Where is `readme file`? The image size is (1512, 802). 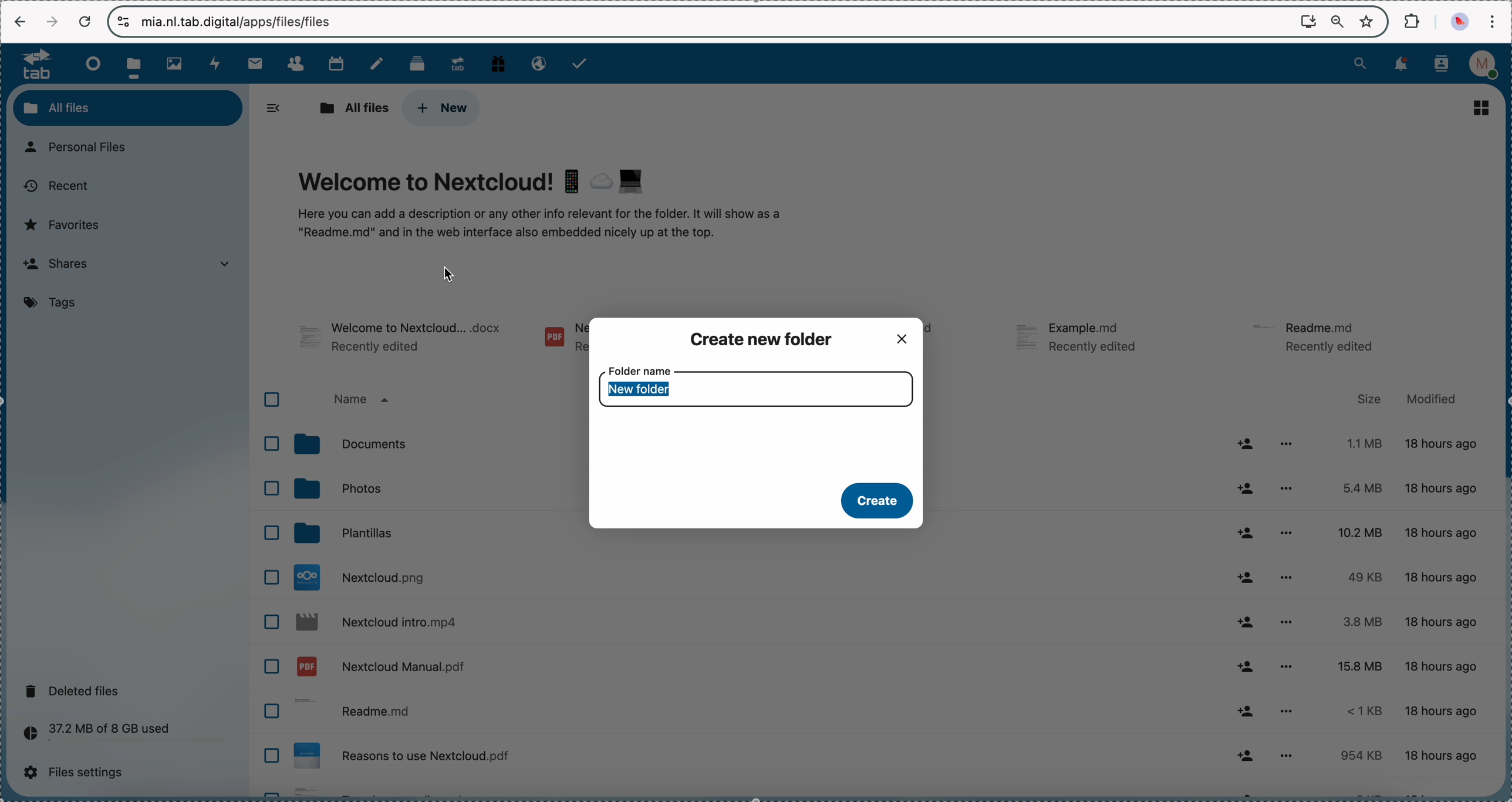 readme file is located at coordinates (752, 713).